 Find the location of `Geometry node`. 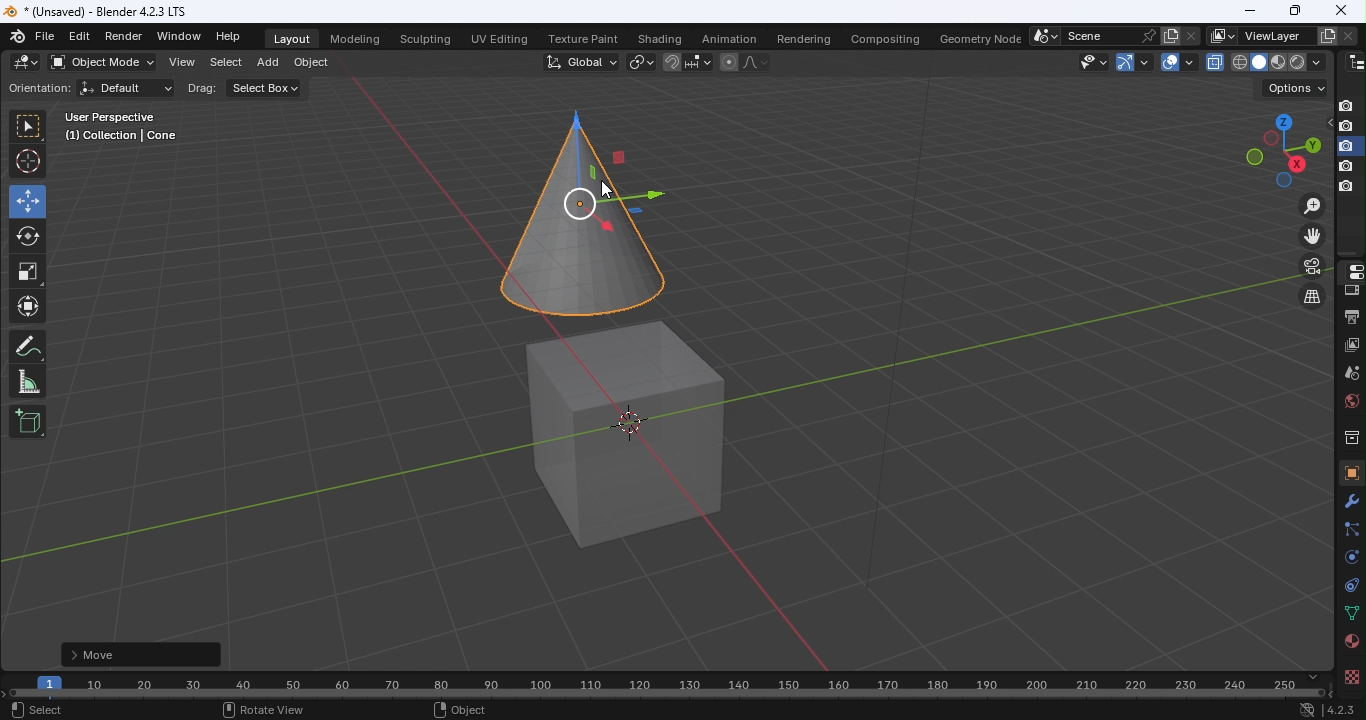

Geometry node is located at coordinates (982, 36).